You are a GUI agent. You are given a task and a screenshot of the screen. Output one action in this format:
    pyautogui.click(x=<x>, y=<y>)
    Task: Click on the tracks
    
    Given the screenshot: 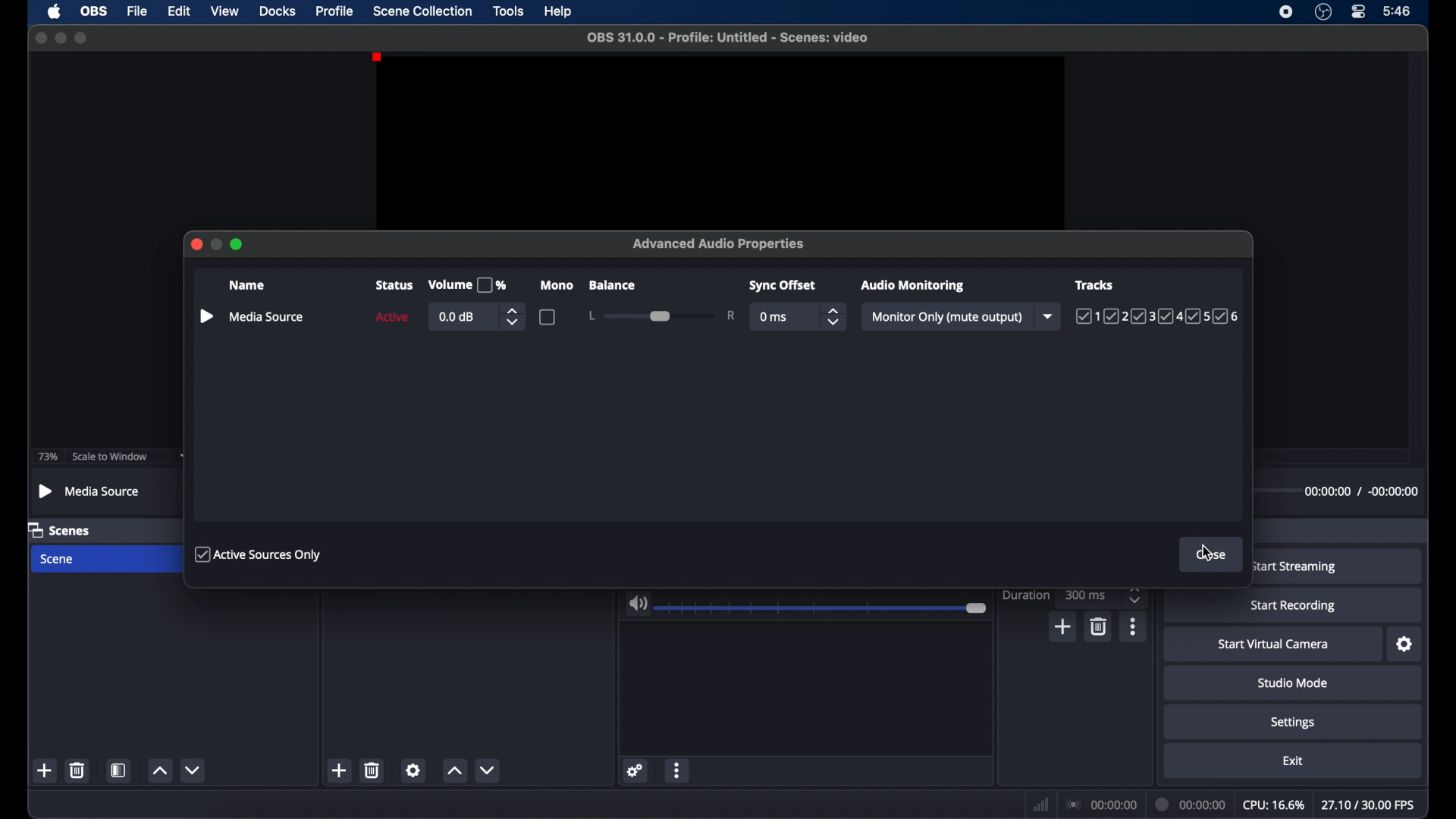 What is the action you would take?
    pyautogui.click(x=1096, y=284)
    